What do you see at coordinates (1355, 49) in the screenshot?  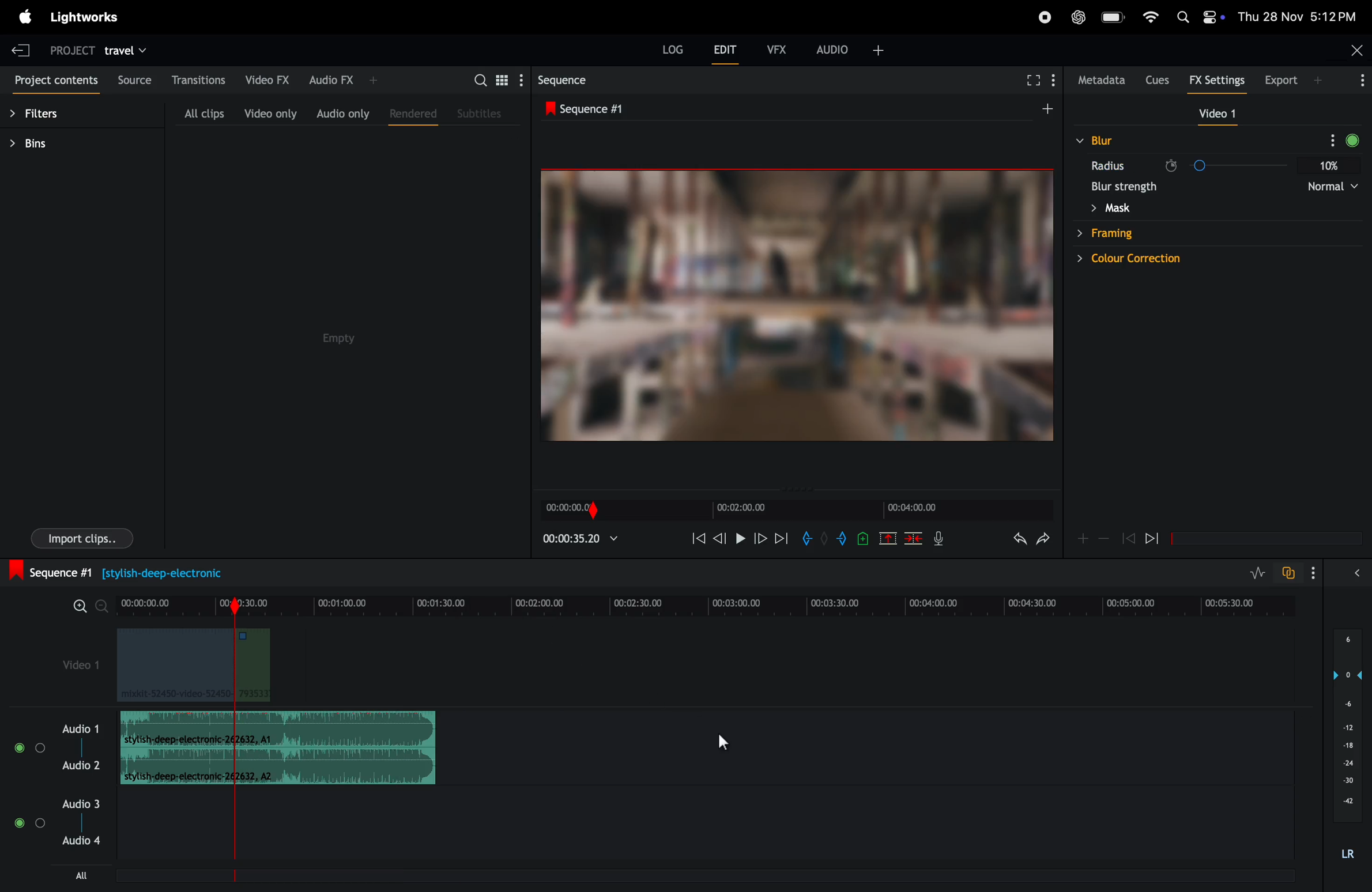 I see `Close` at bounding box center [1355, 49].